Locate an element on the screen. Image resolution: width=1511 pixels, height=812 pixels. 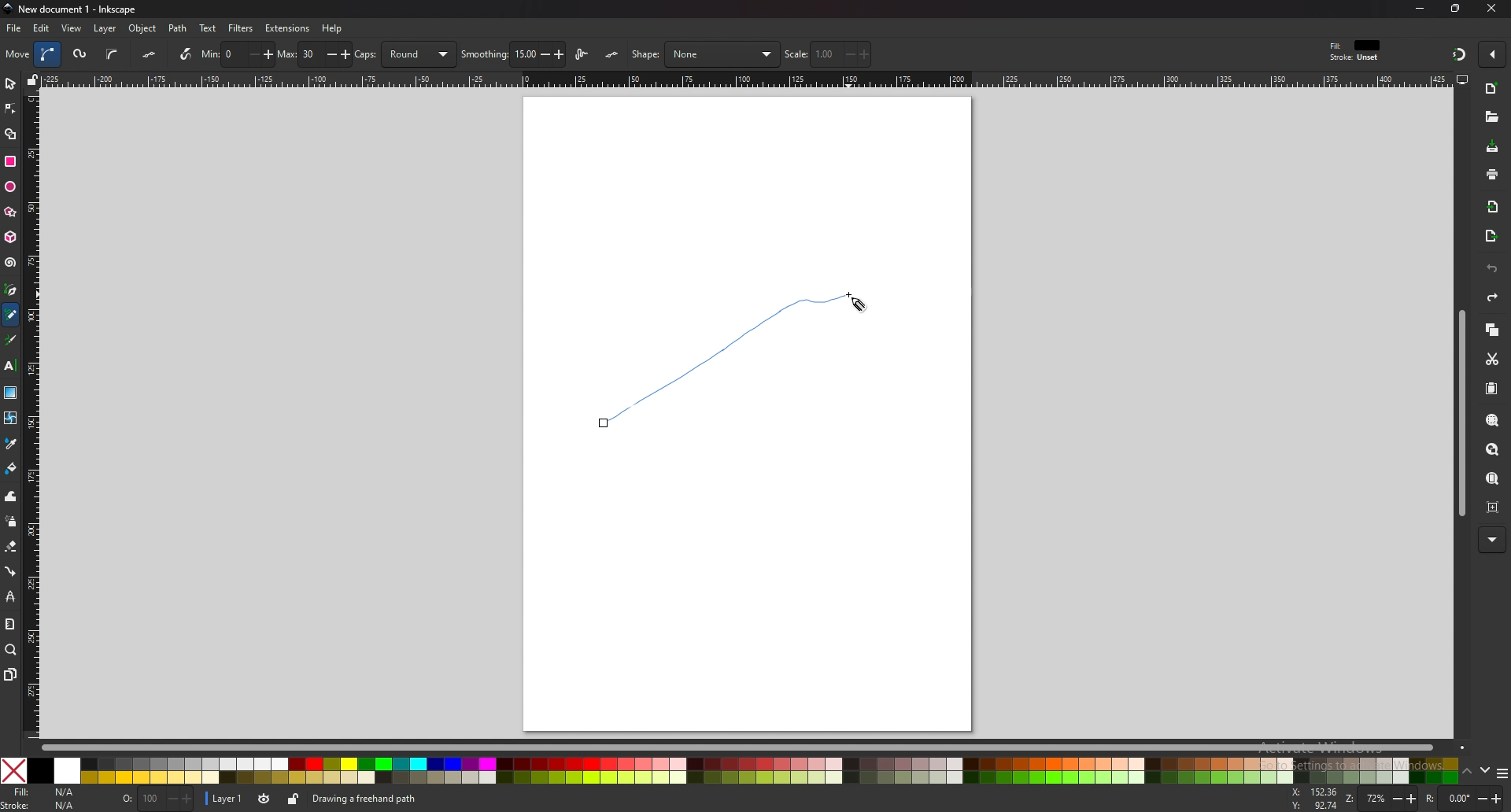
connector is located at coordinates (10, 571).